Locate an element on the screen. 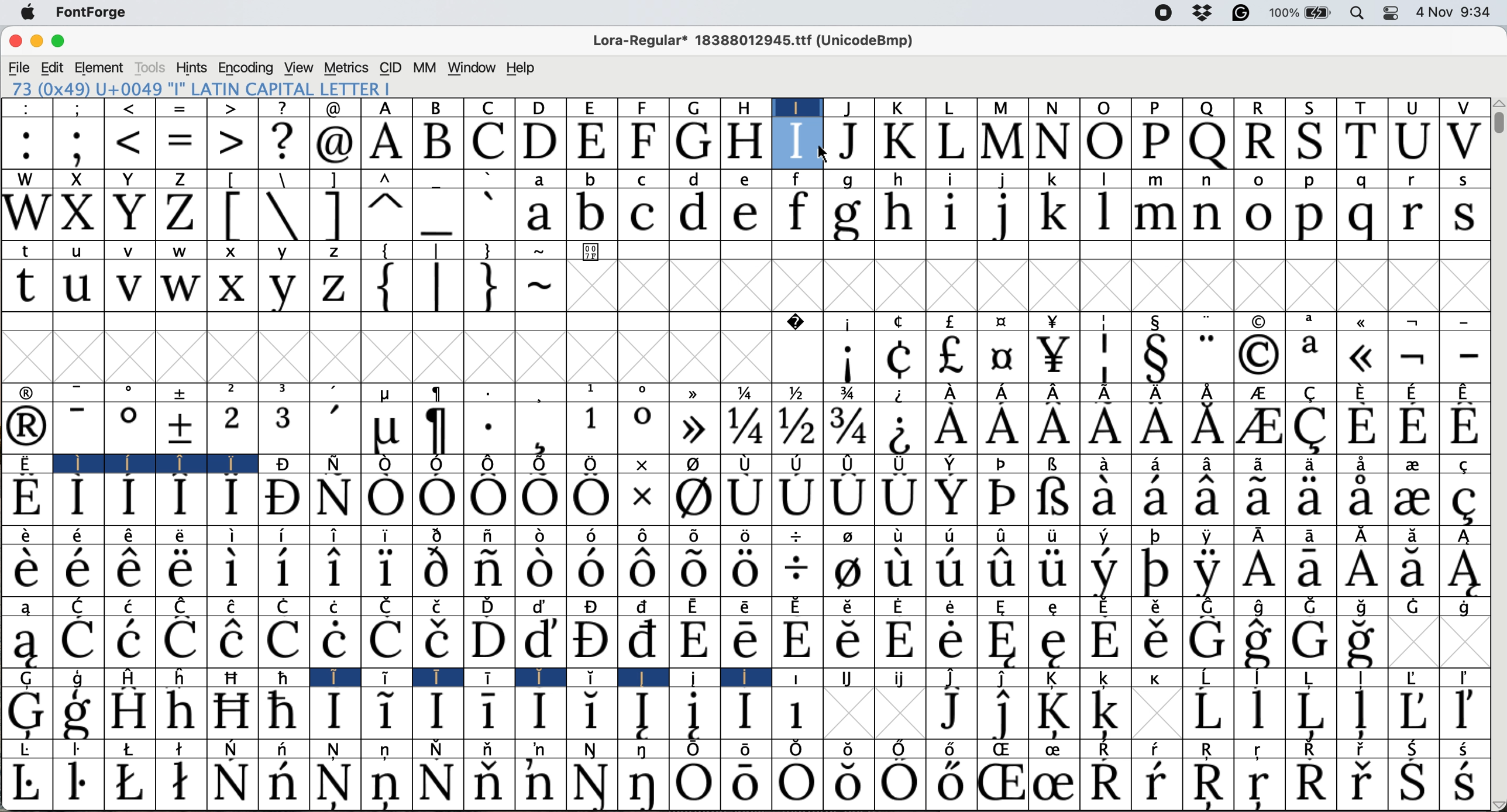  Symbol is located at coordinates (590, 535).